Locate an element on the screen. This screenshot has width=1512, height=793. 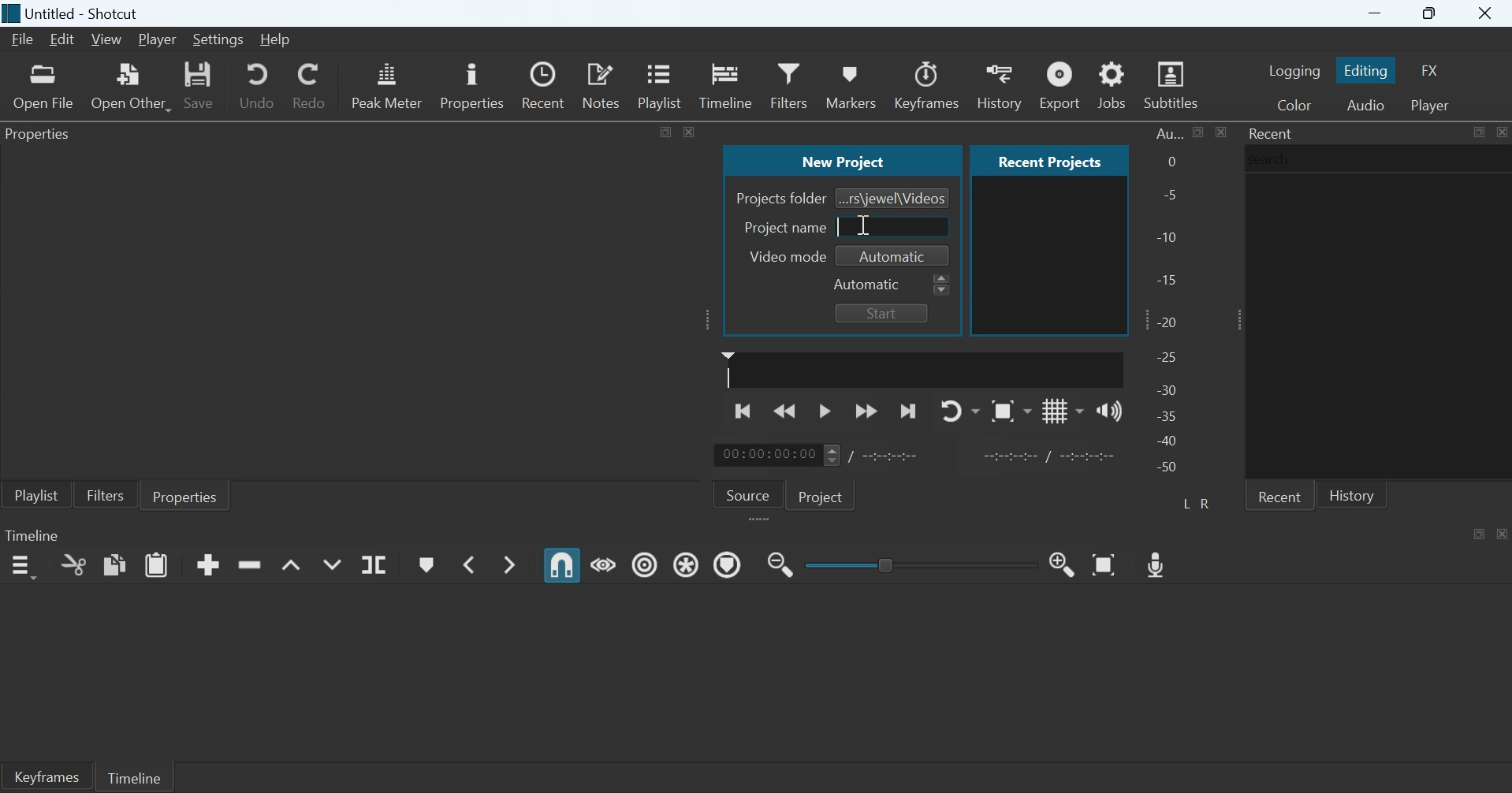
Expand is located at coordinates (709, 319).